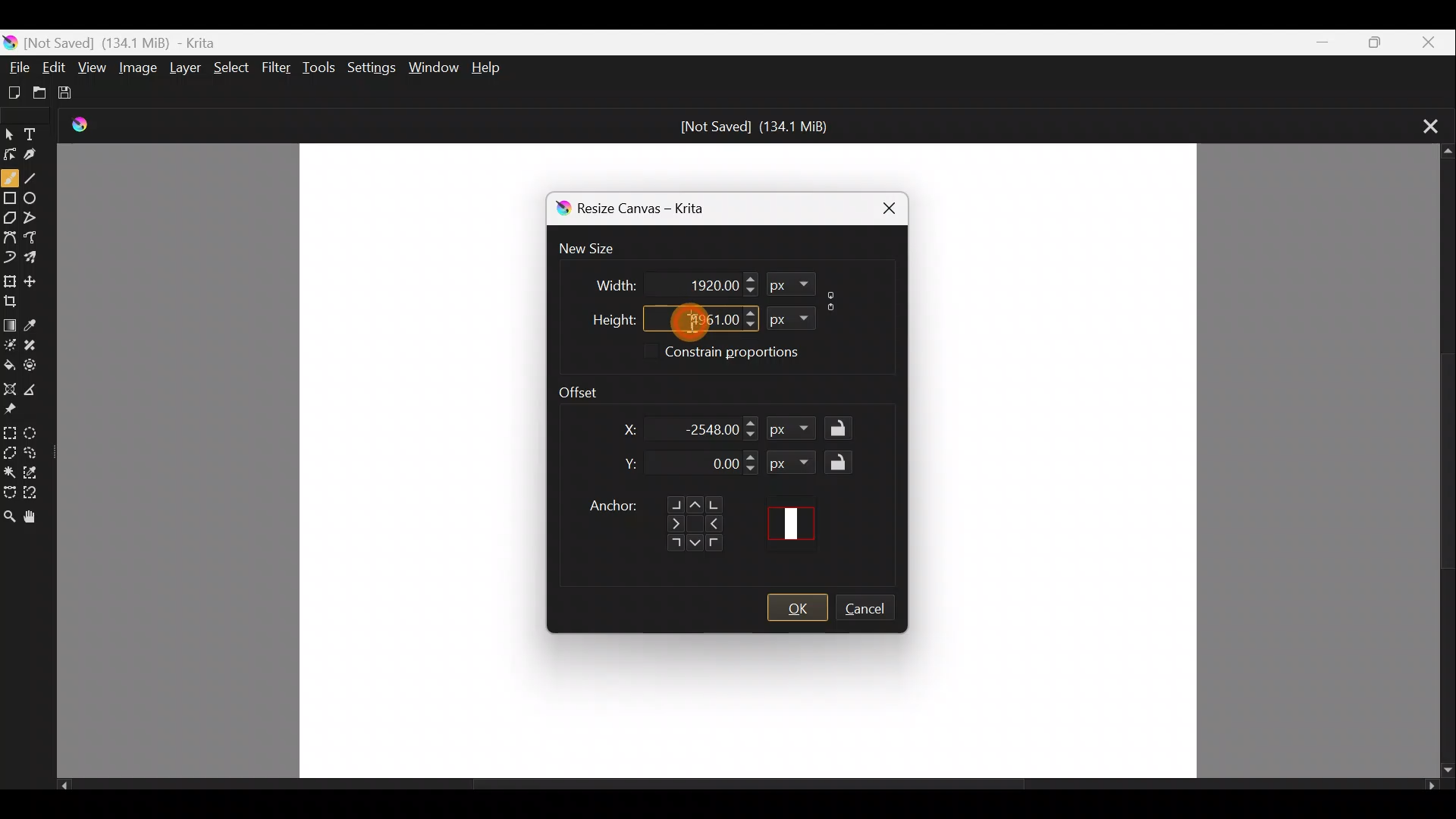  What do you see at coordinates (11, 200) in the screenshot?
I see `Rectangle tool` at bounding box center [11, 200].